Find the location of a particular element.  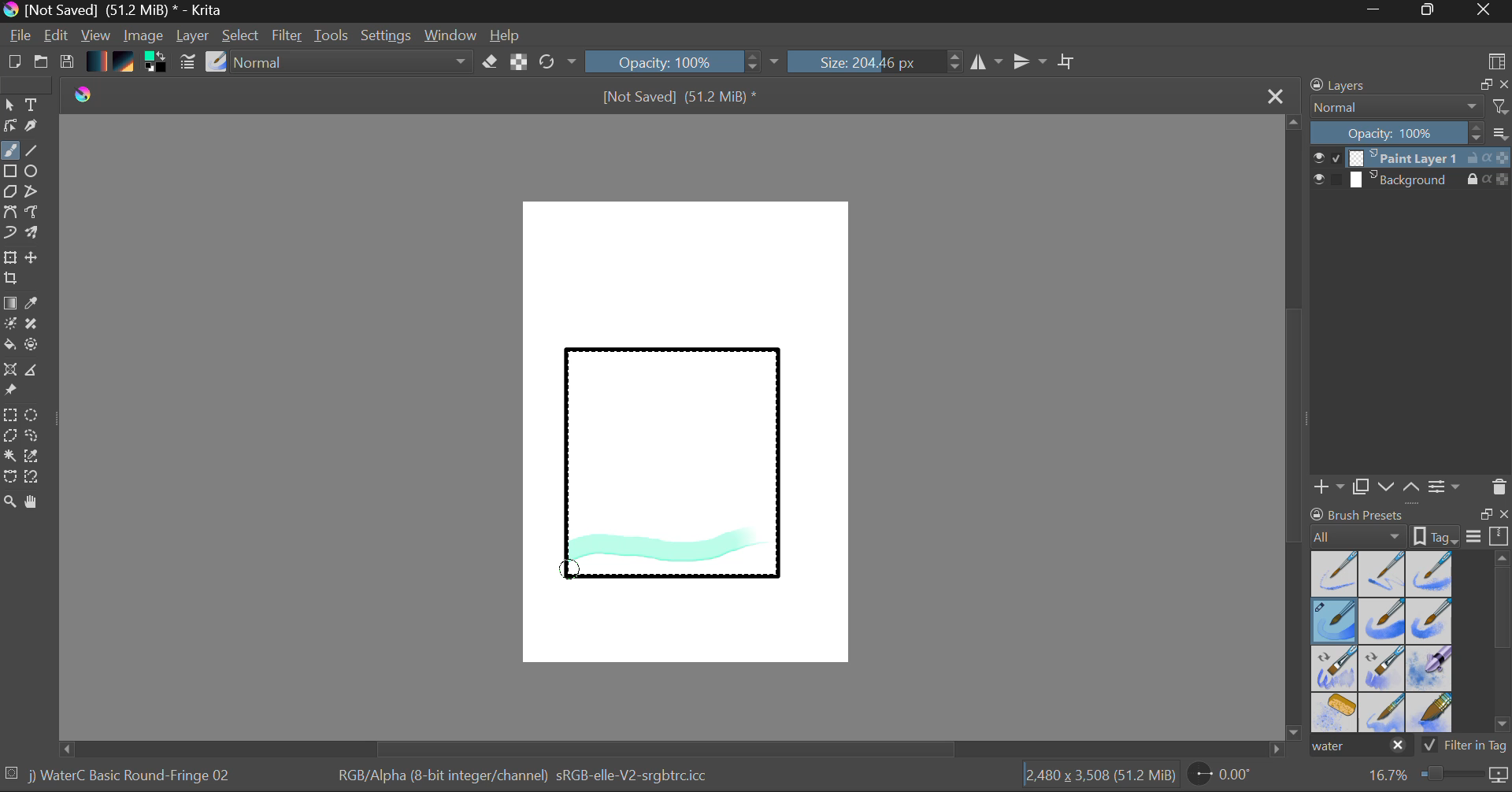

Water C - Wet is located at coordinates (1384, 574).